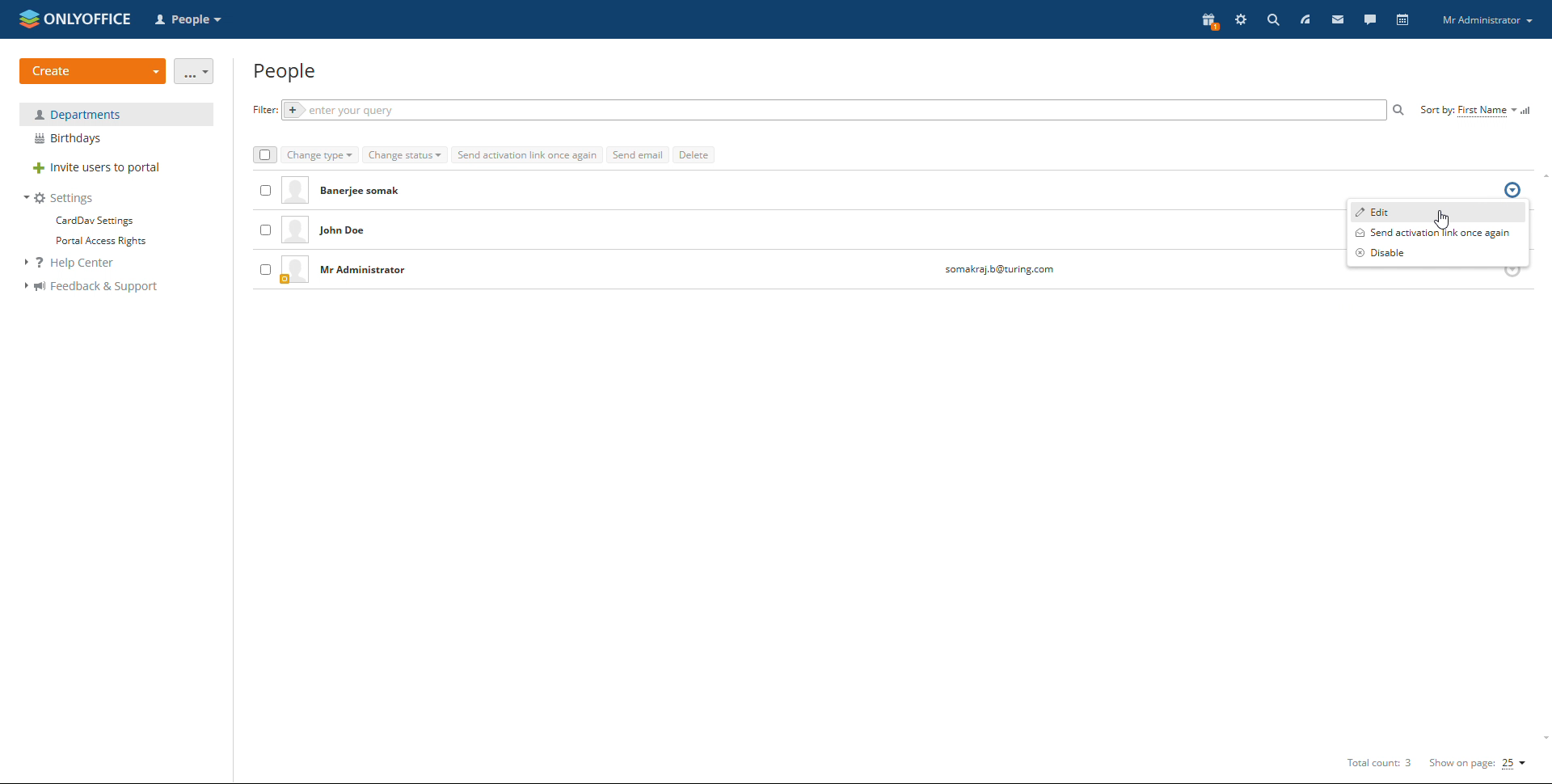  What do you see at coordinates (1399, 110) in the screenshot?
I see `search` at bounding box center [1399, 110].